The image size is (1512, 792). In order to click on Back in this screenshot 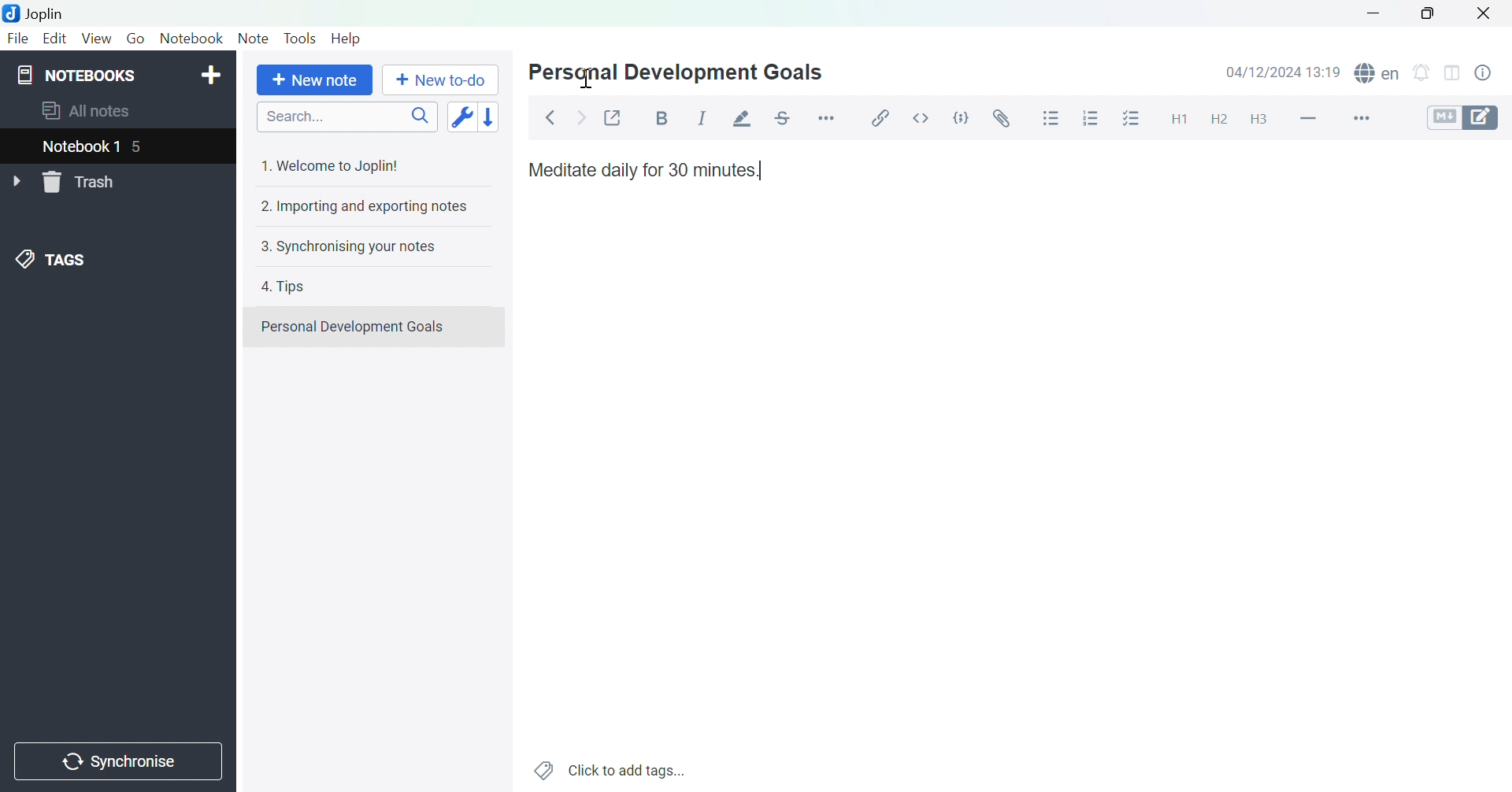, I will do `click(550, 117)`.